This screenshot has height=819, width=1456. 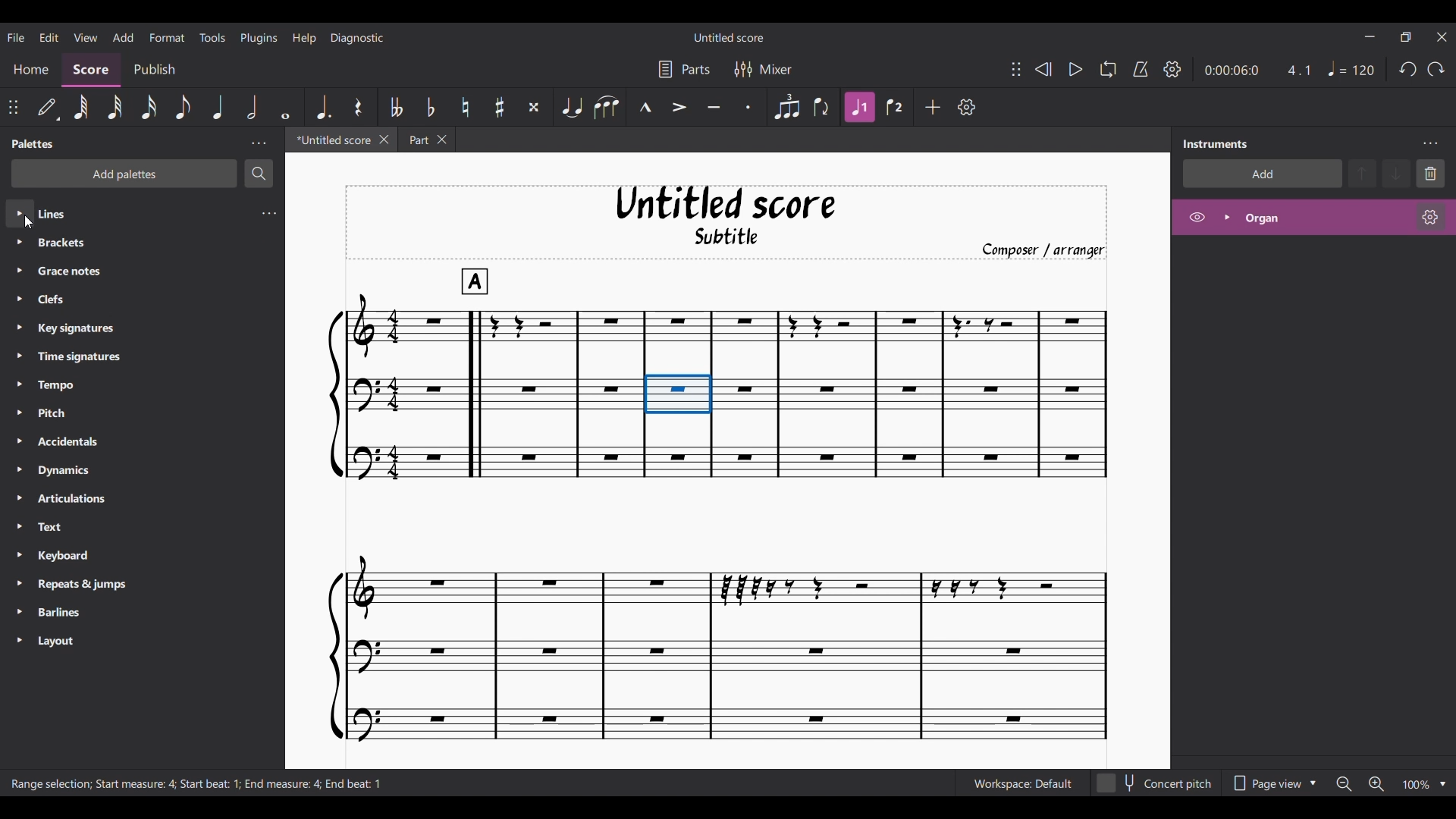 I want to click on Palette list, so click(x=158, y=427).